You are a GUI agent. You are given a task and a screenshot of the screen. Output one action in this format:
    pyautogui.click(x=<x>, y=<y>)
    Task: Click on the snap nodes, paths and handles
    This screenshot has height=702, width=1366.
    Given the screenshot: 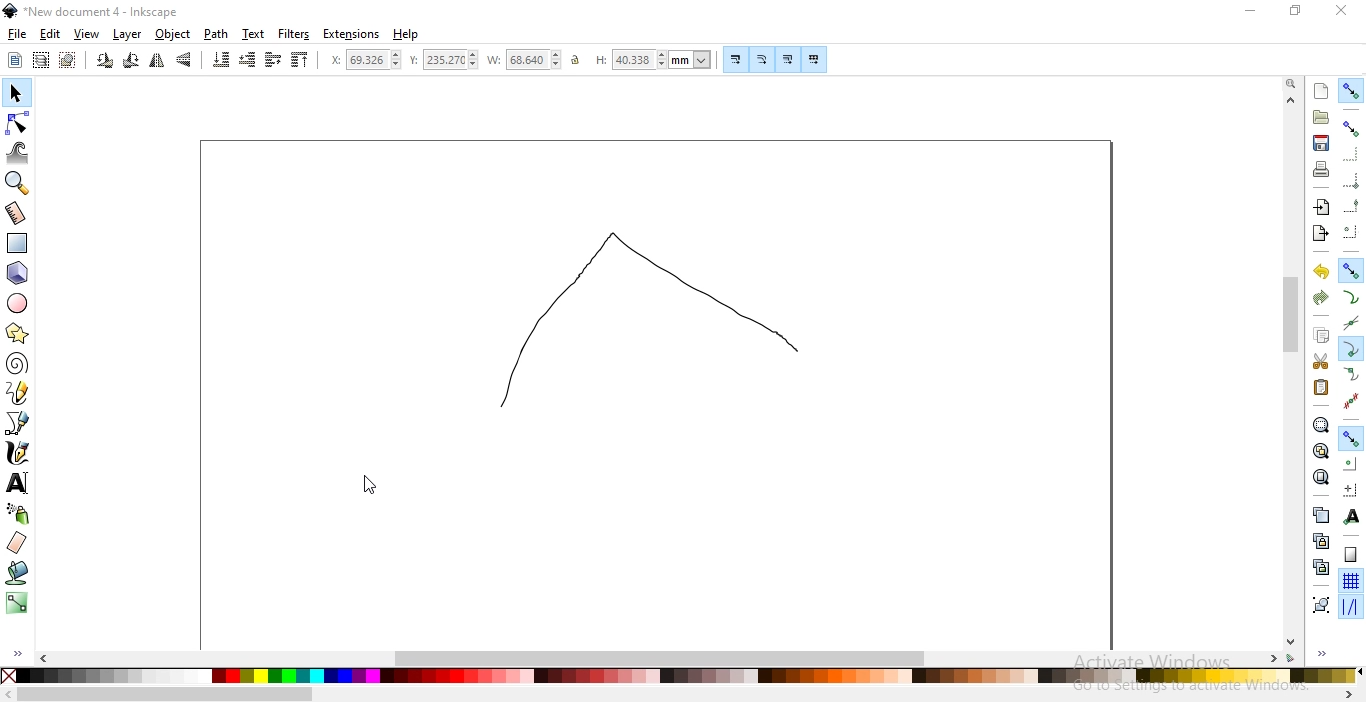 What is the action you would take?
    pyautogui.click(x=1349, y=269)
    